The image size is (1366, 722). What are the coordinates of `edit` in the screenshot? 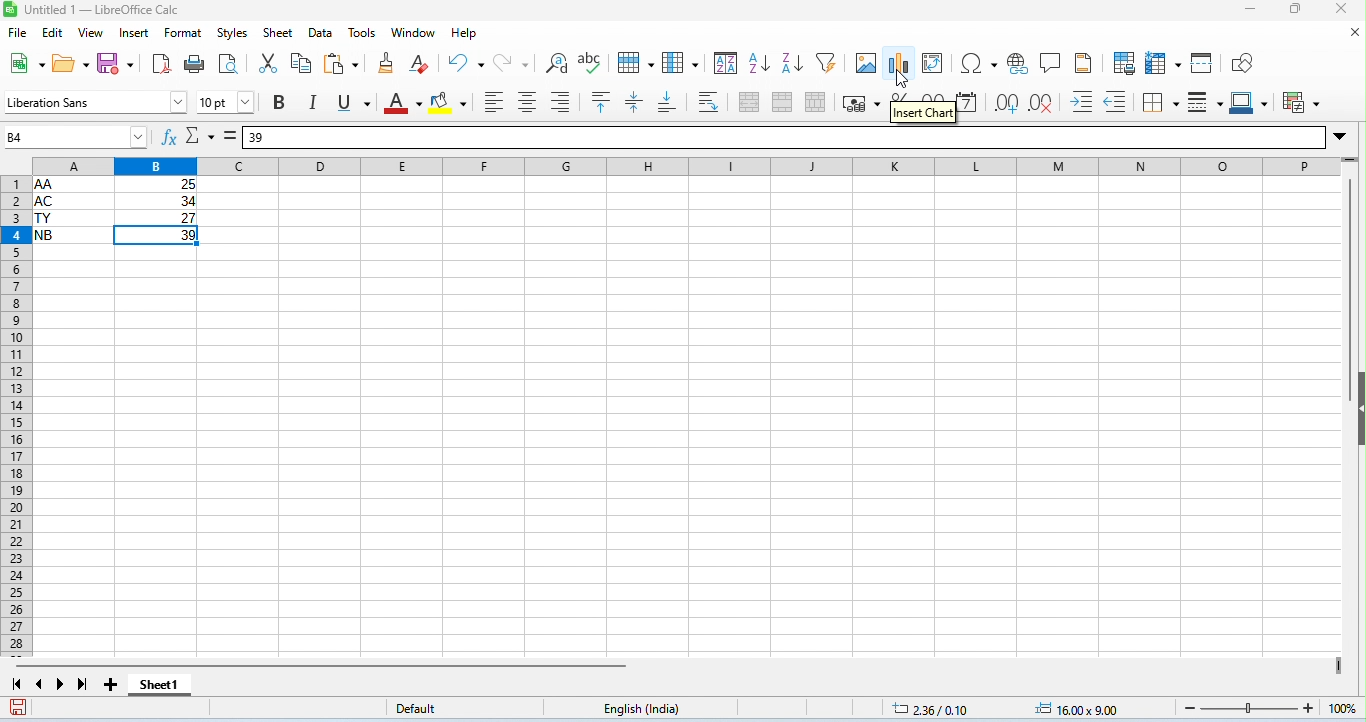 It's located at (53, 34).